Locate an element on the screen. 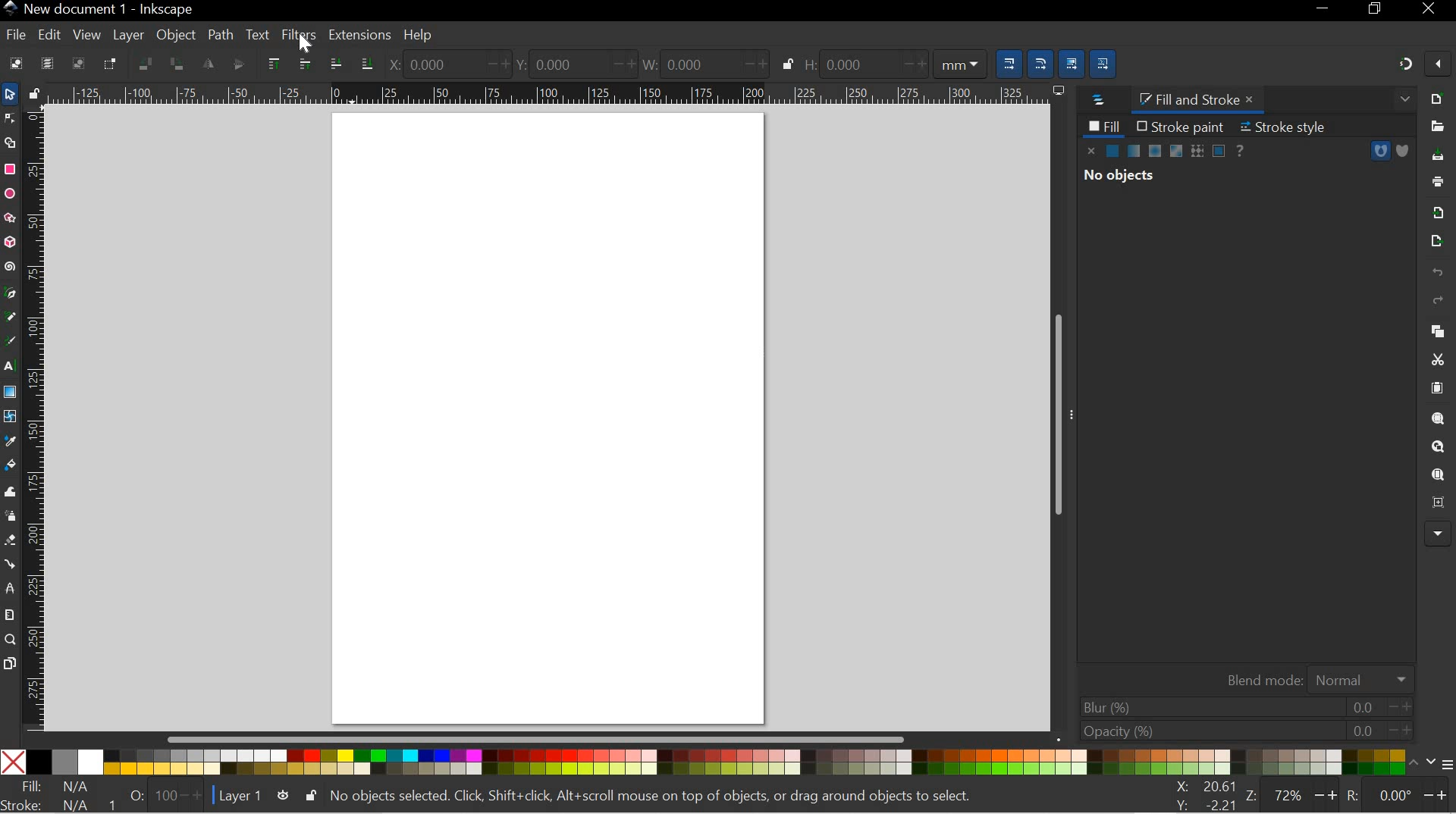 The image size is (1456, 814). HEIGHT is located at coordinates (893, 62).